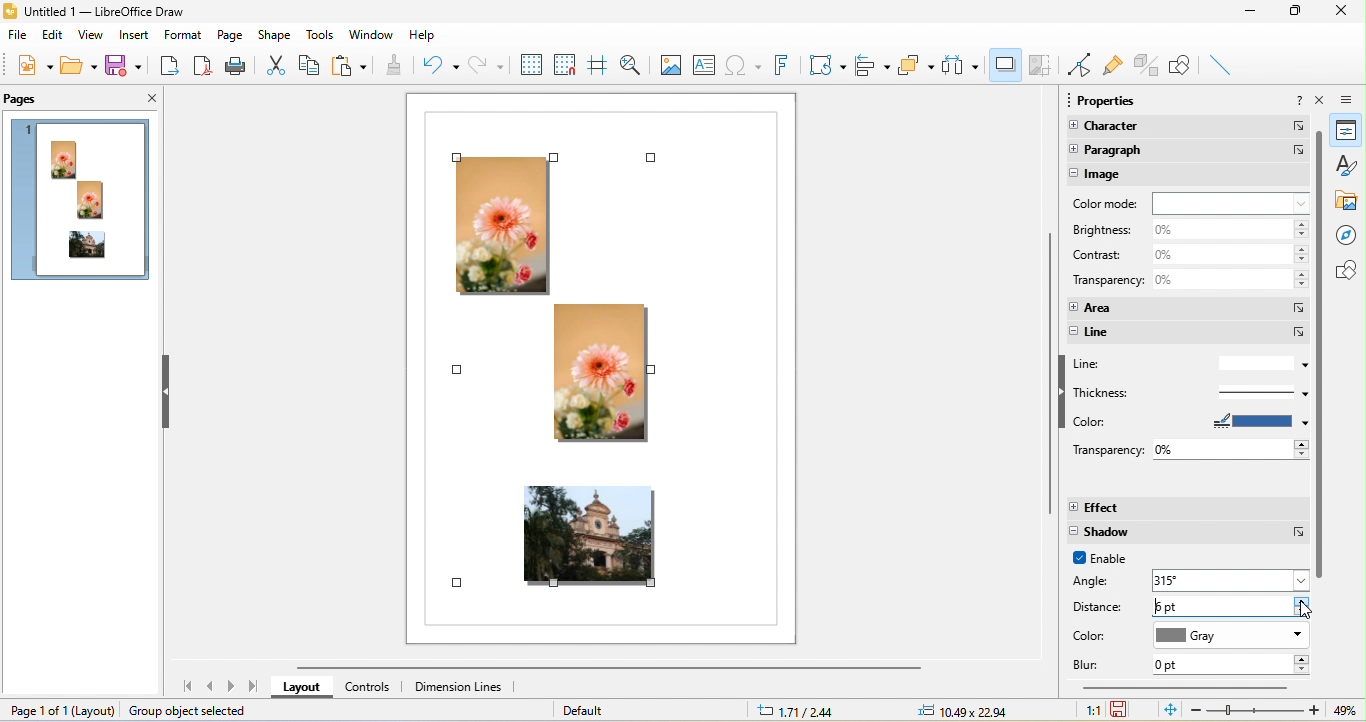 Image resolution: width=1366 pixels, height=722 pixels. I want to click on gallery, so click(1350, 203).